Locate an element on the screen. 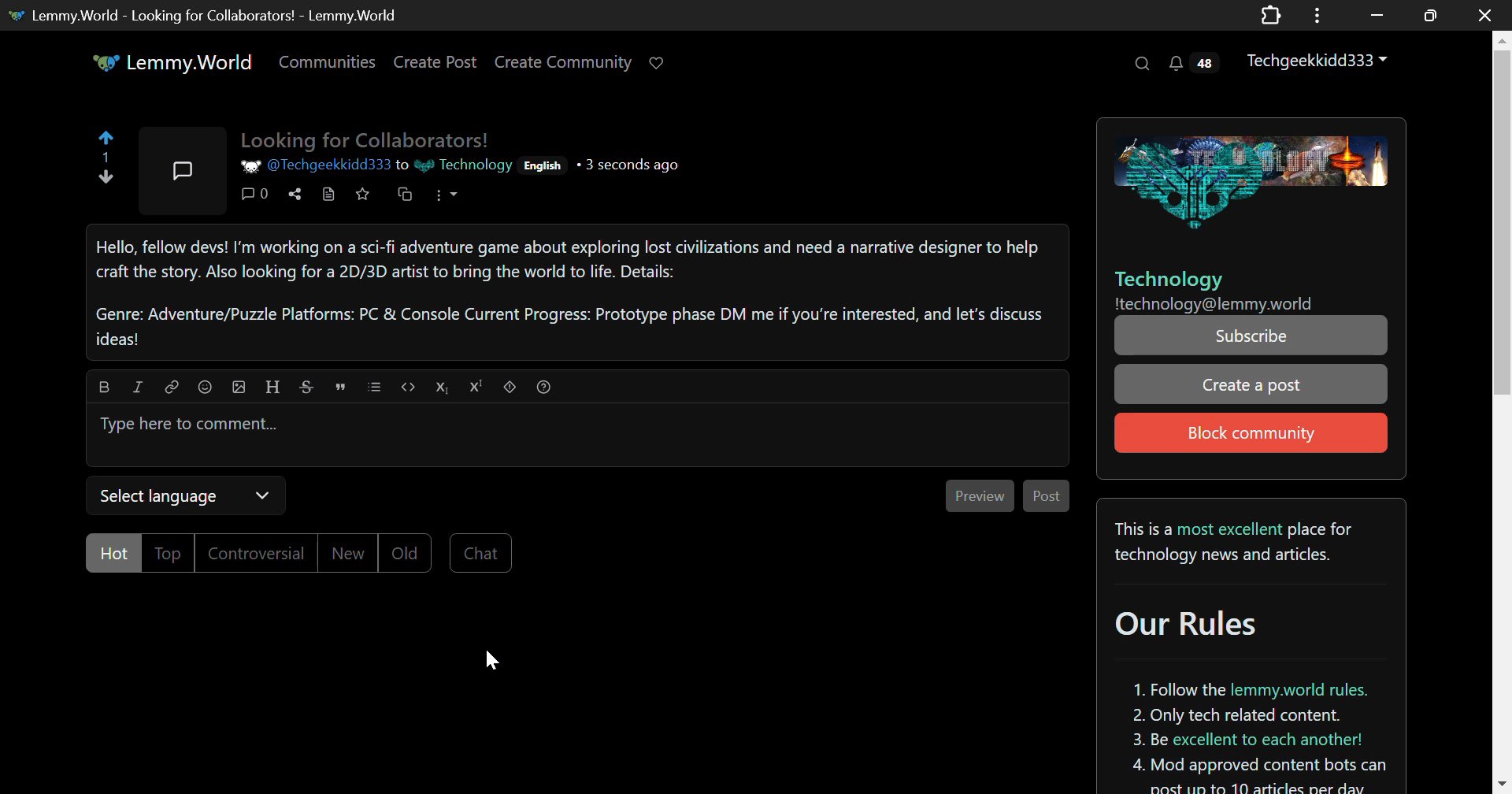  Minimize Window is located at coordinates (1427, 15).